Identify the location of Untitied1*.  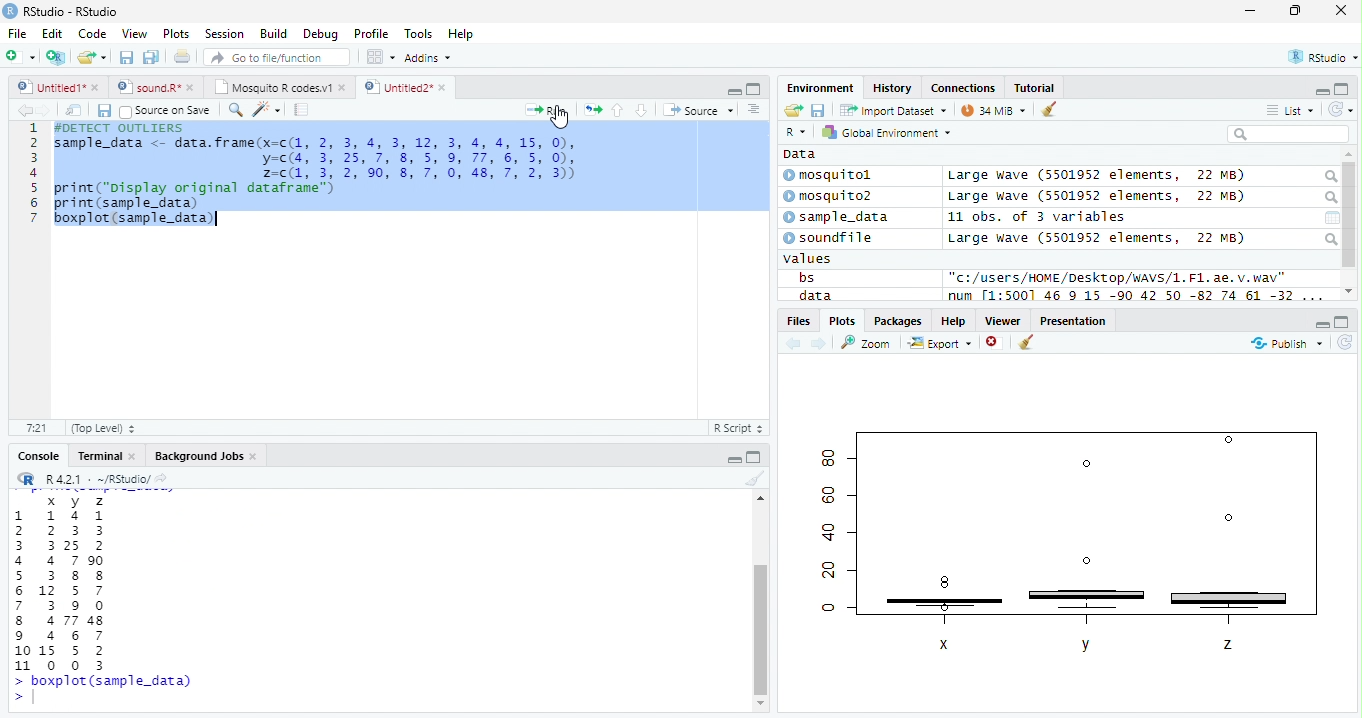
(58, 87).